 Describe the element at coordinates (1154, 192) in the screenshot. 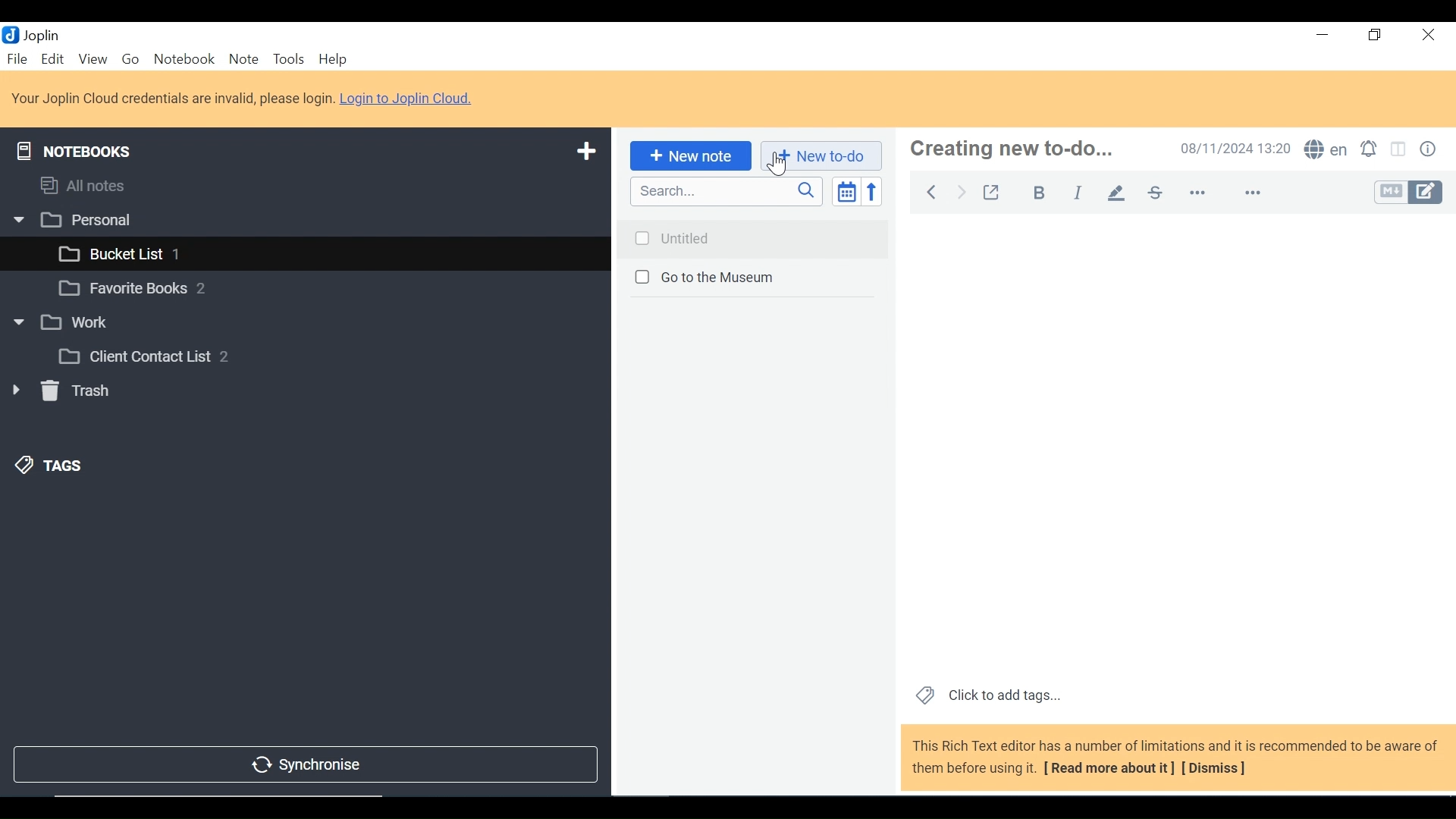

I see `Strikethrough` at that location.